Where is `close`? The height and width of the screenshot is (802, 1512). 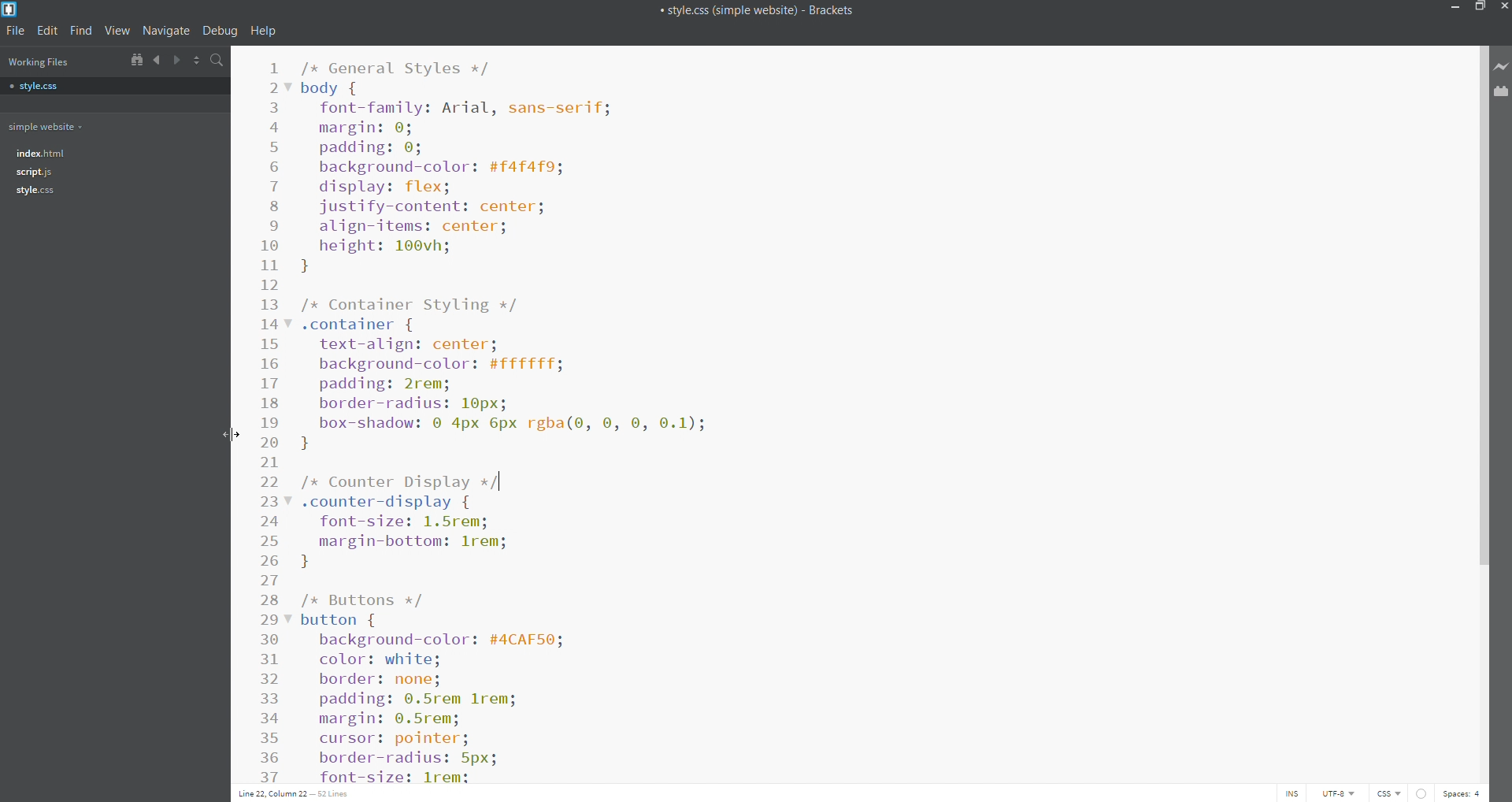 close is located at coordinates (1503, 6).